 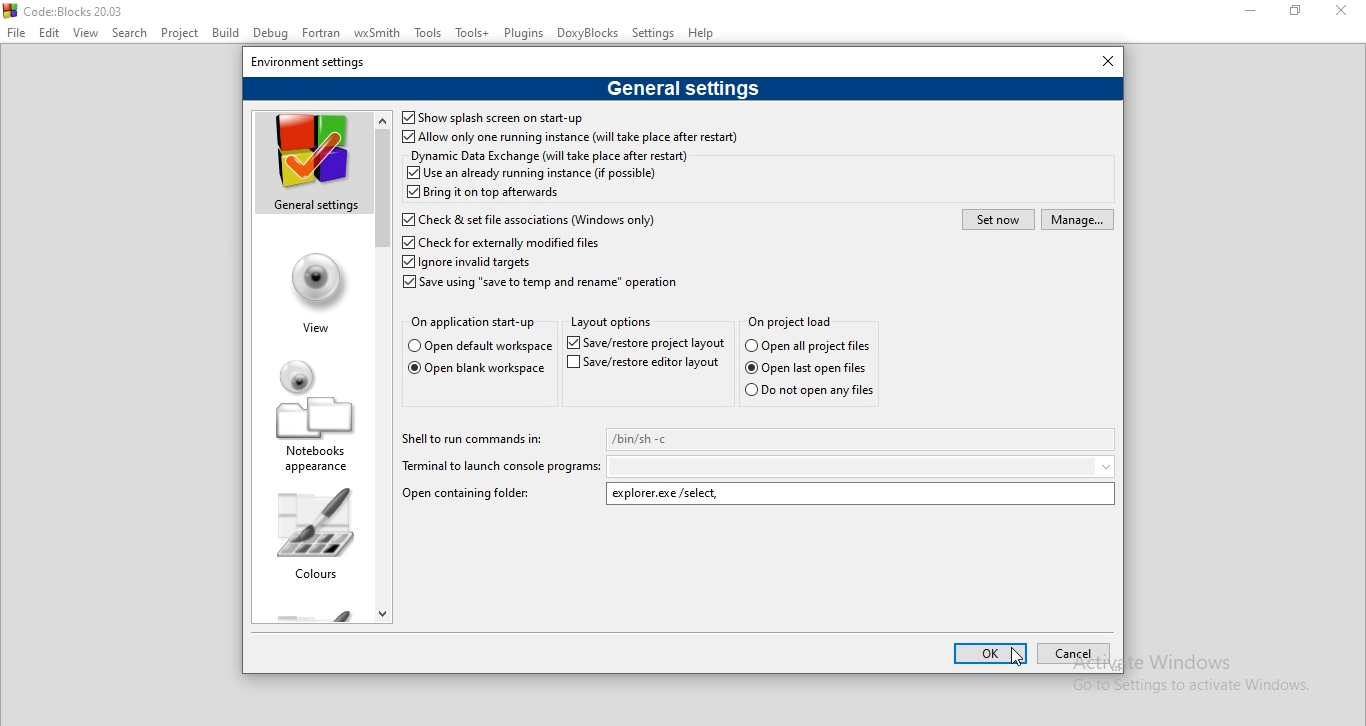 What do you see at coordinates (815, 368) in the screenshot?
I see `Open last open files` at bounding box center [815, 368].